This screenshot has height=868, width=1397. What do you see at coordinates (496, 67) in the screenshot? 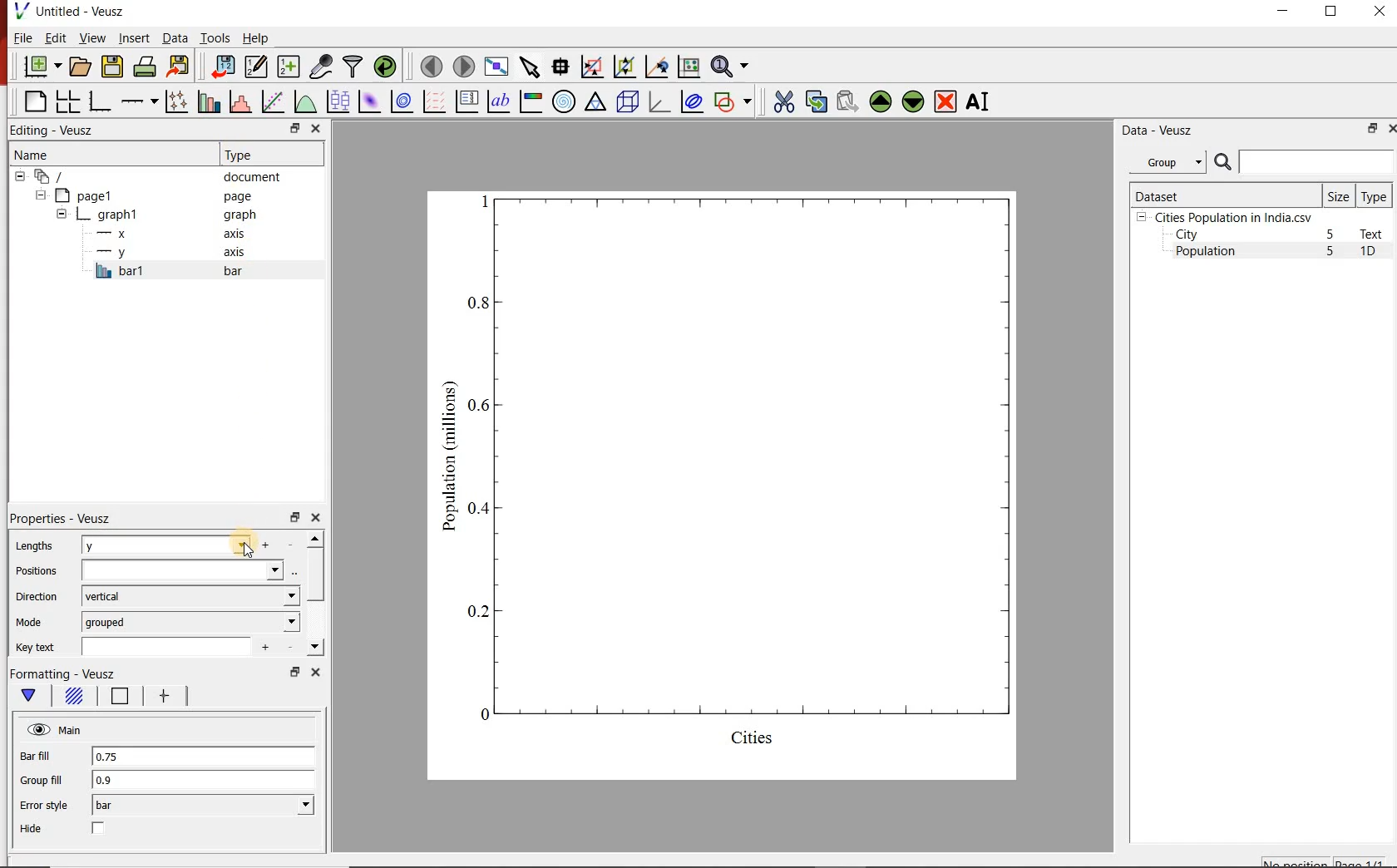
I see `view plot full screen` at bounding box center [496, 67].